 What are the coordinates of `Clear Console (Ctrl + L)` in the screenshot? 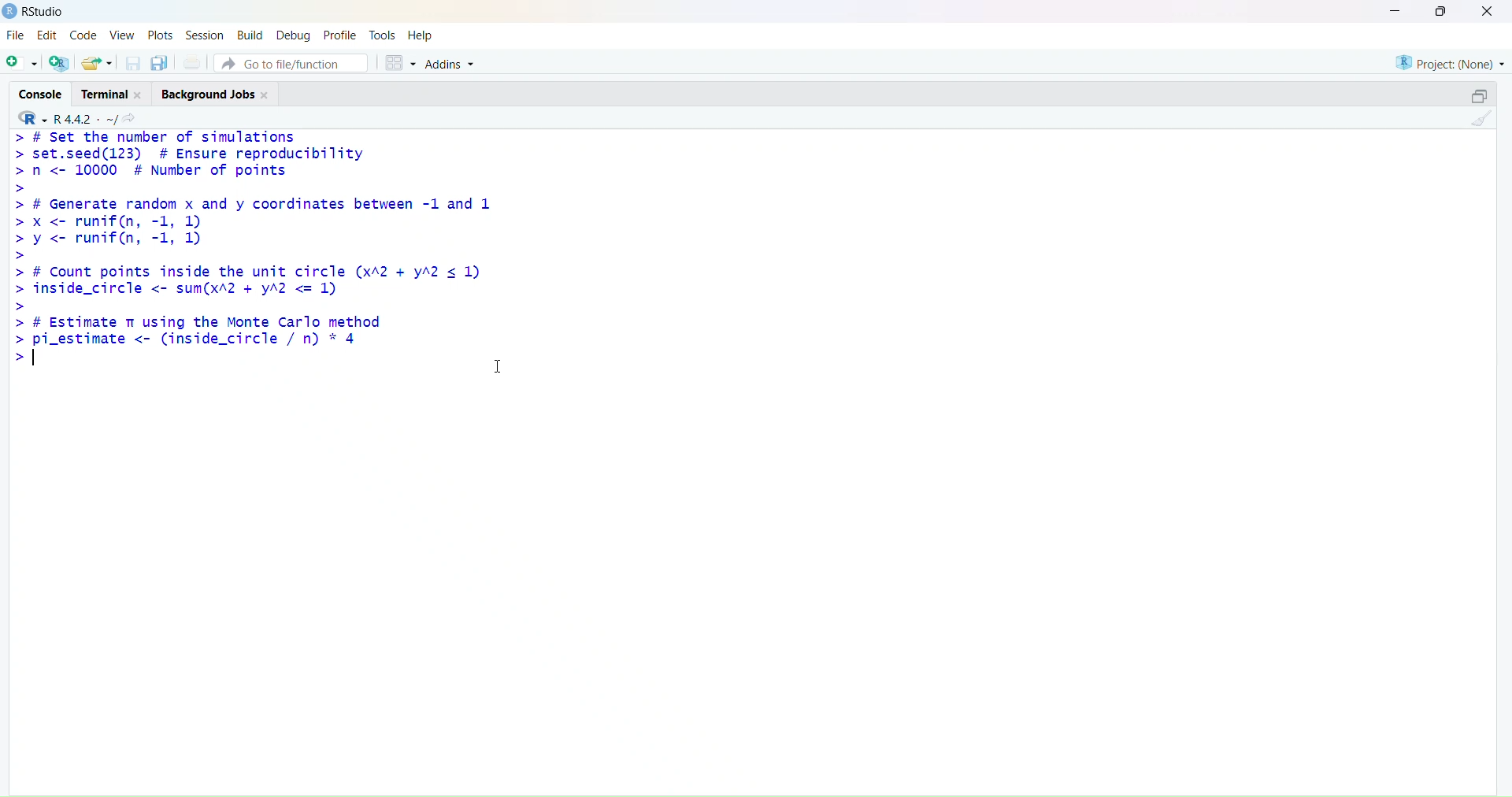 It's located at (1482, 126).